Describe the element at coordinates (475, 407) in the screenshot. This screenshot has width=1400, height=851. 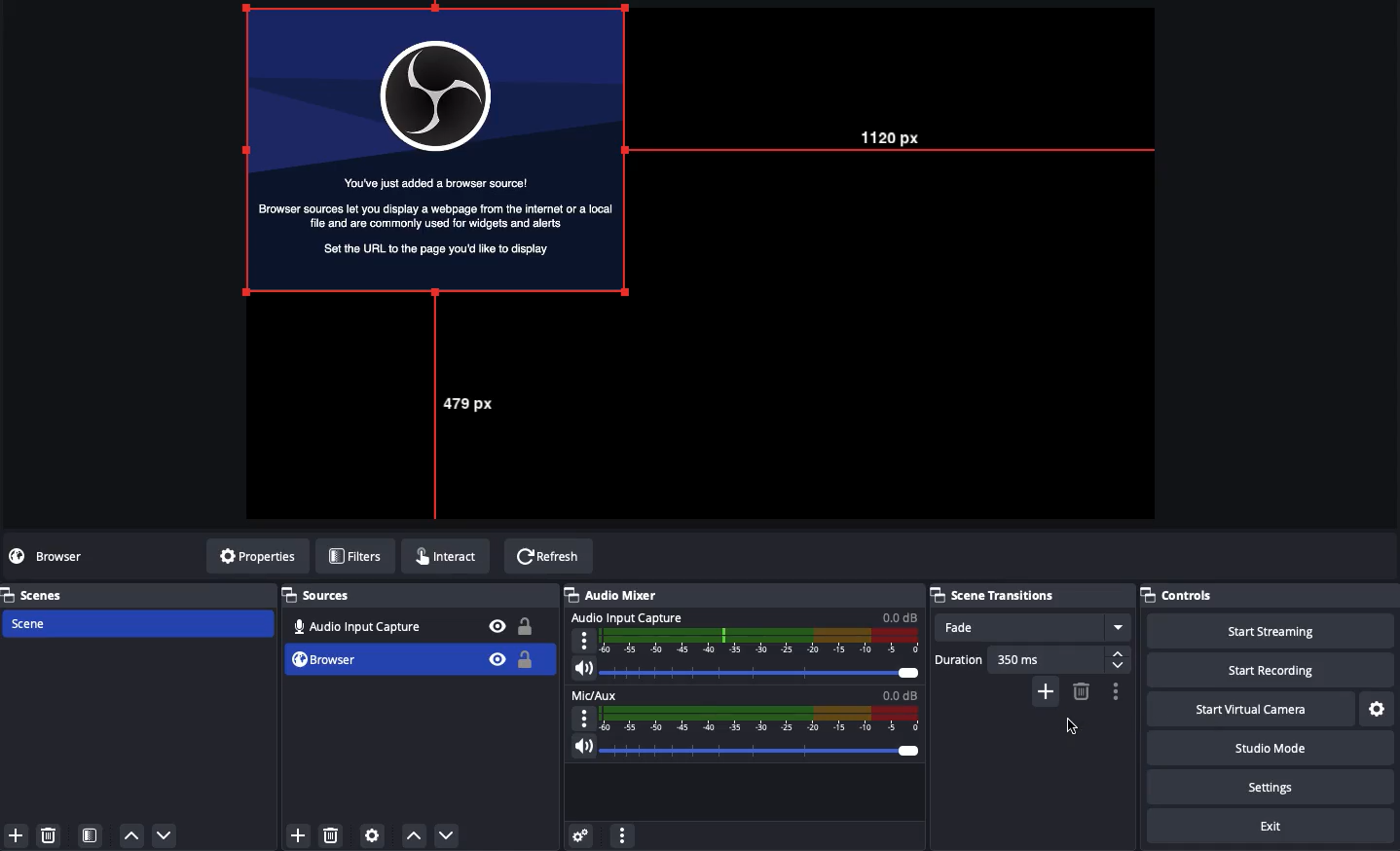
I see `479 px` at that location.